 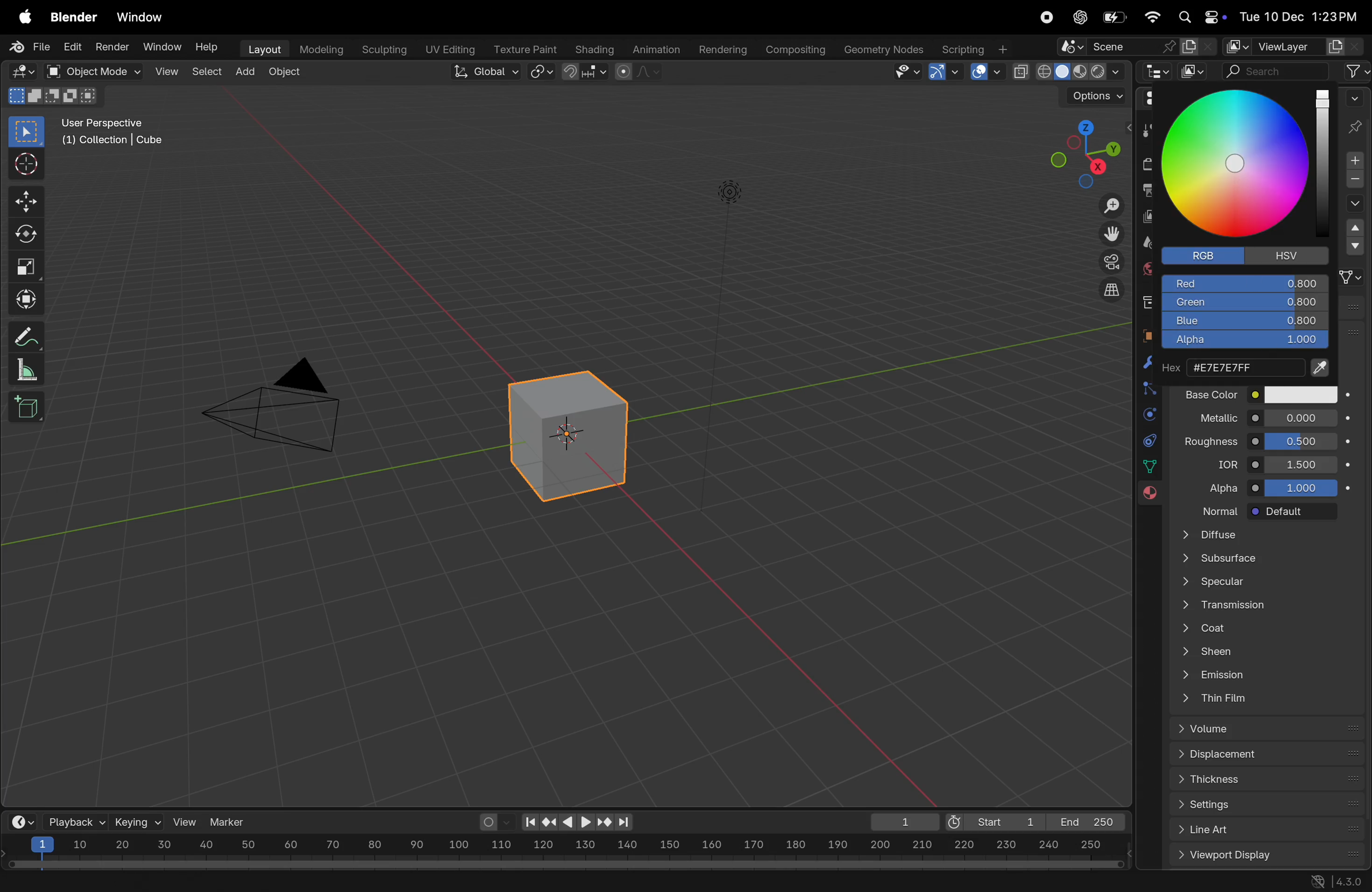 I want to click on color, so click(x=1299, y=394).